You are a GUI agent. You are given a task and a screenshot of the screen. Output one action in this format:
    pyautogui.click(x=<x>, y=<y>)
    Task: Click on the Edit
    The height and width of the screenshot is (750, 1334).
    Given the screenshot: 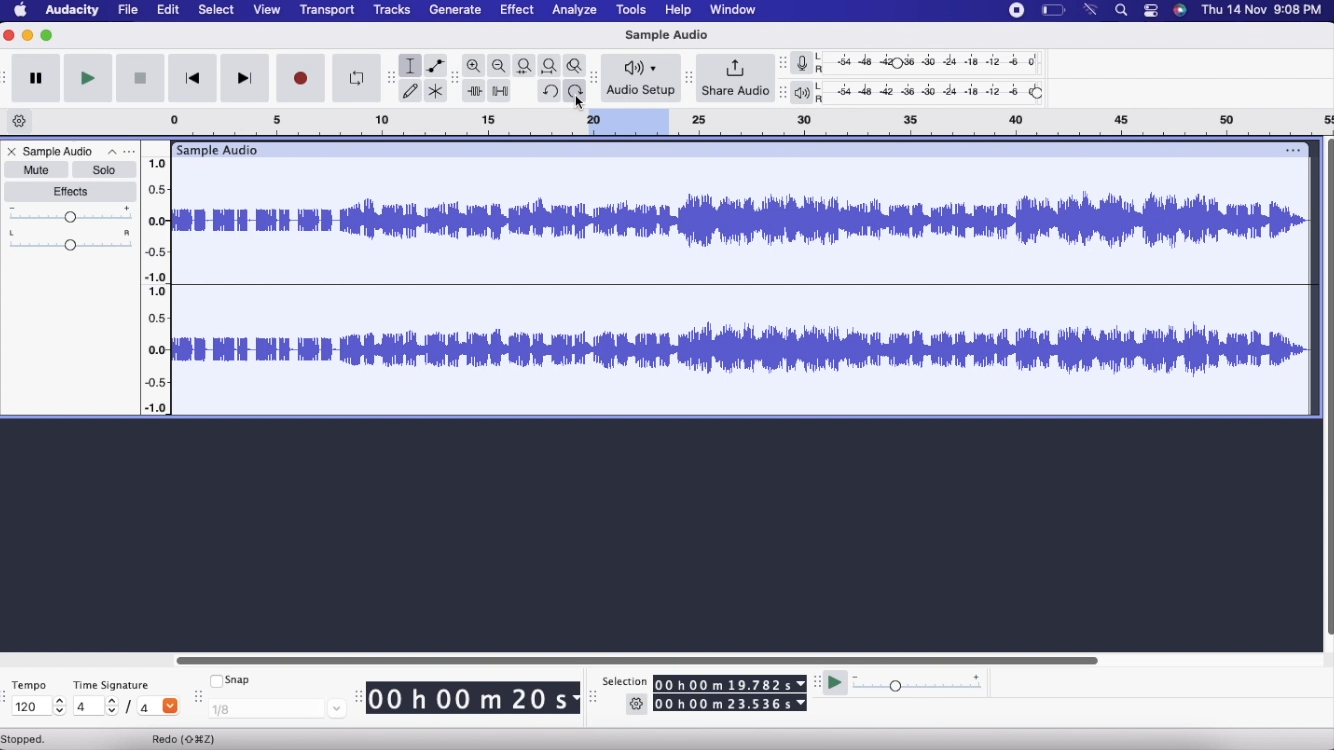 What is the action you would take?
    pyautogui.click(x=169, y=10)
    